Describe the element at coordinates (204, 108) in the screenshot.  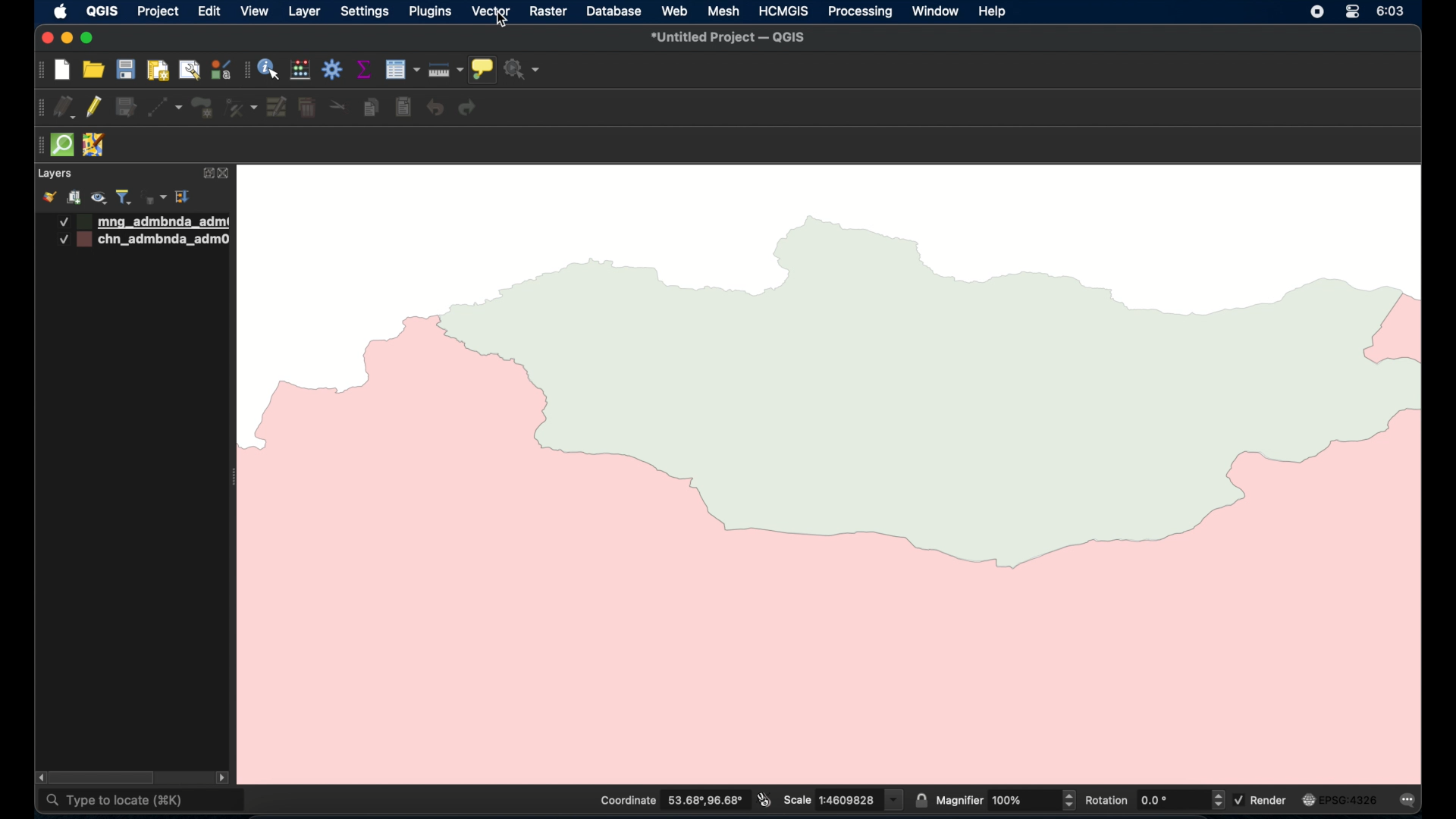
I see `add polygon` at that location.